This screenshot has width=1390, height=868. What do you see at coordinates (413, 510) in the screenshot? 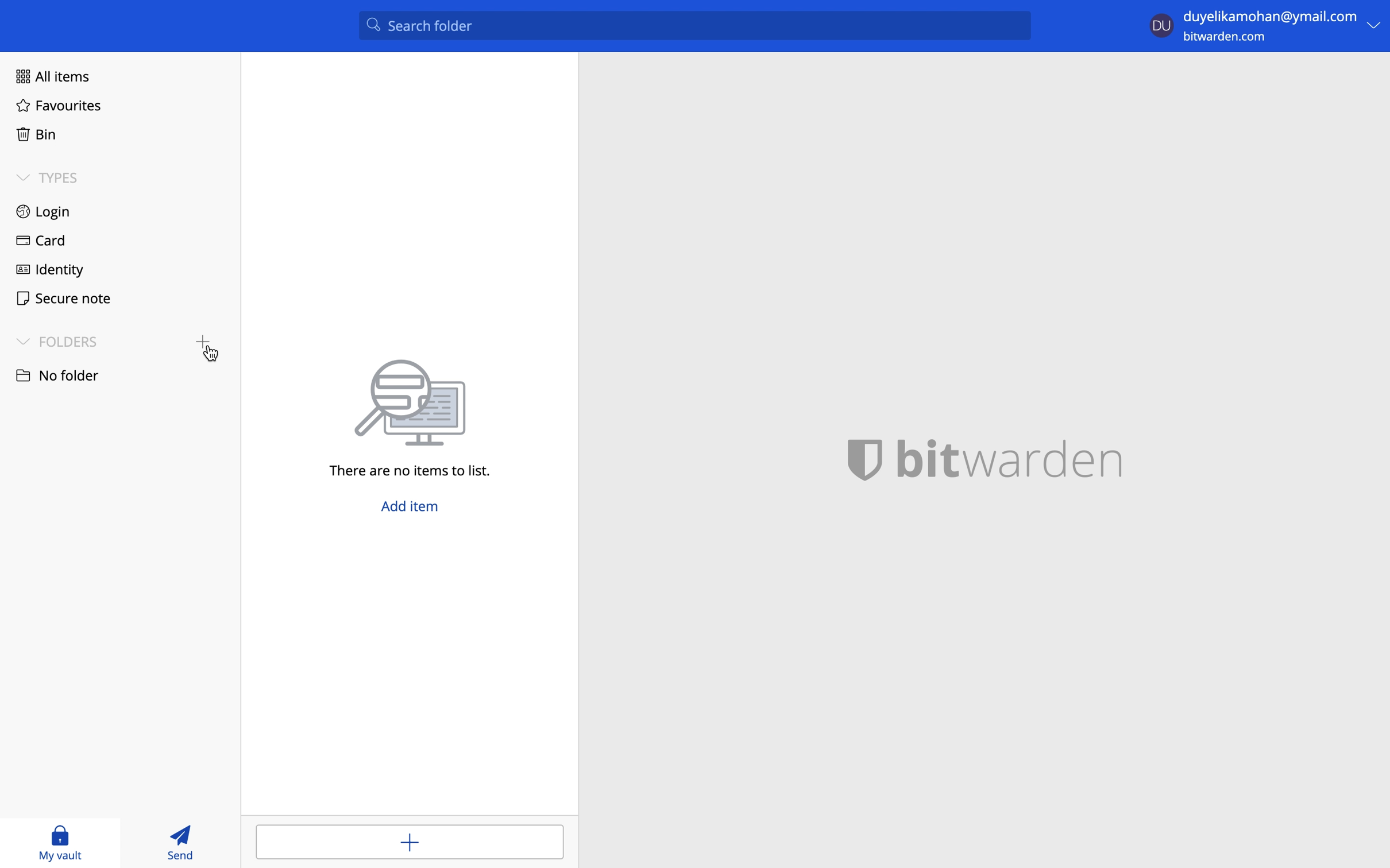
I see `add item` at bounding box center [413, 510].